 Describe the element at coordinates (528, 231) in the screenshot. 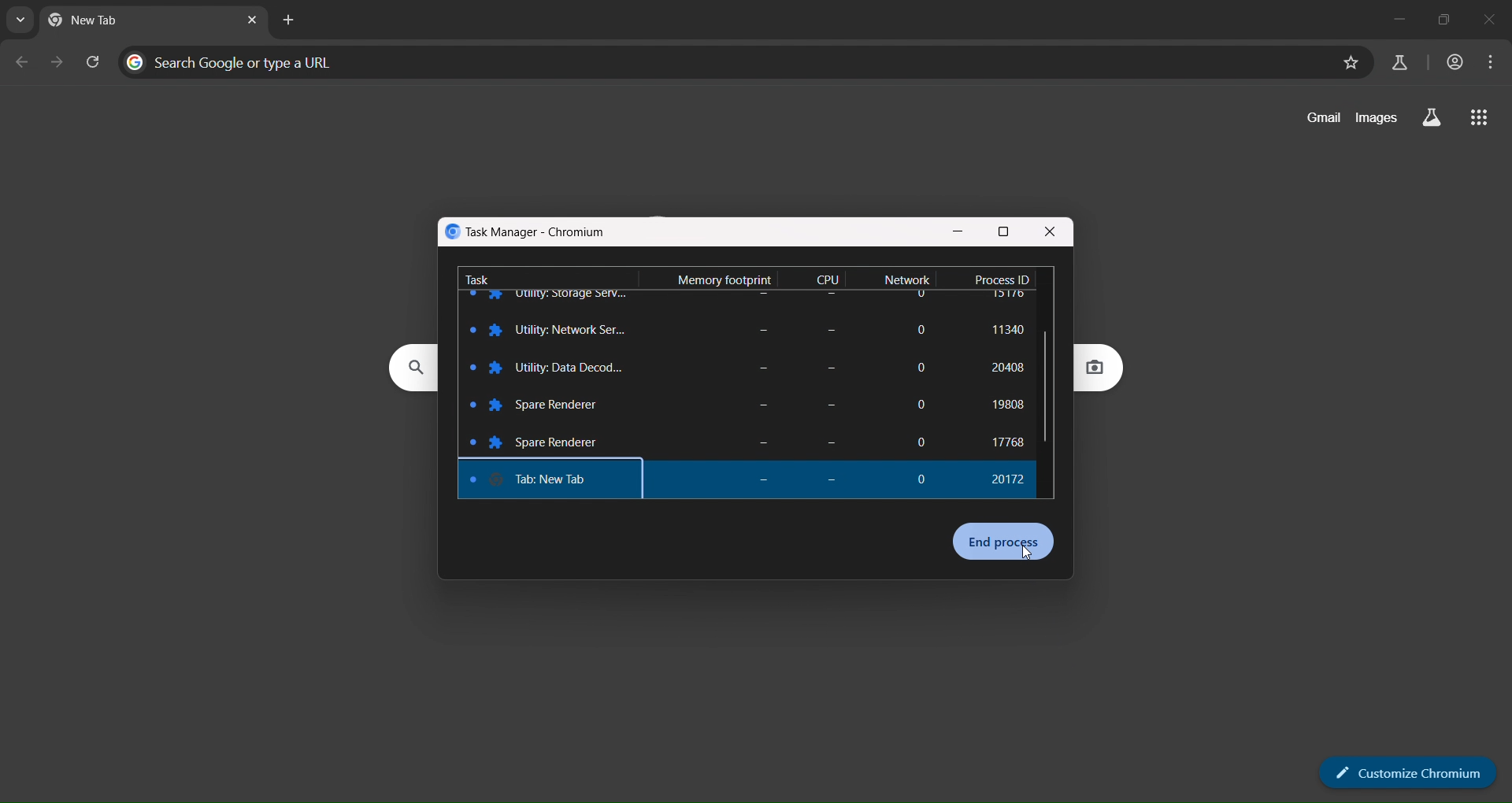

I see `task manager-Chromium` at that location.